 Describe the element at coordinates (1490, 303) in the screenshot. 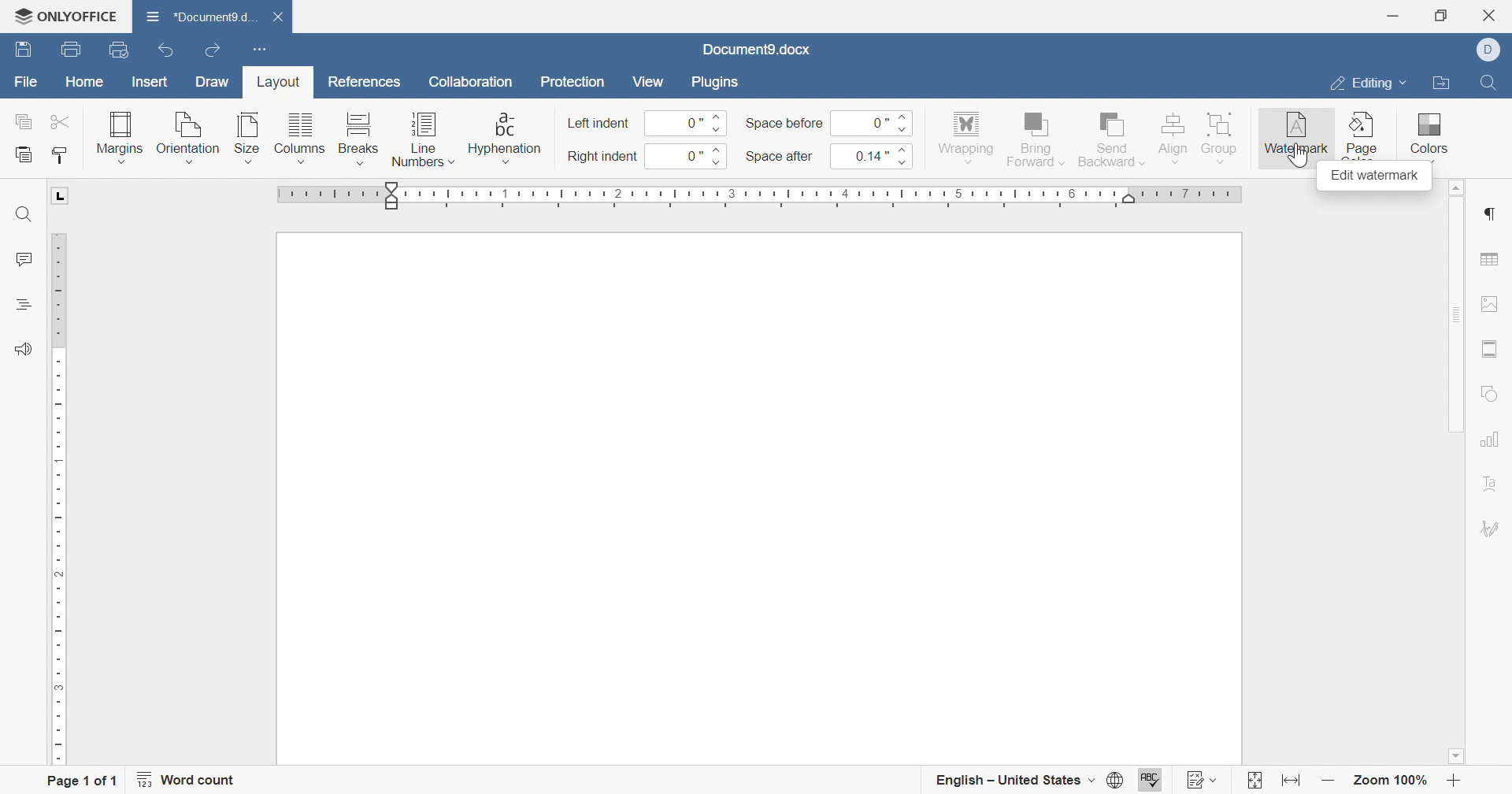

I see `image settings` at that location.